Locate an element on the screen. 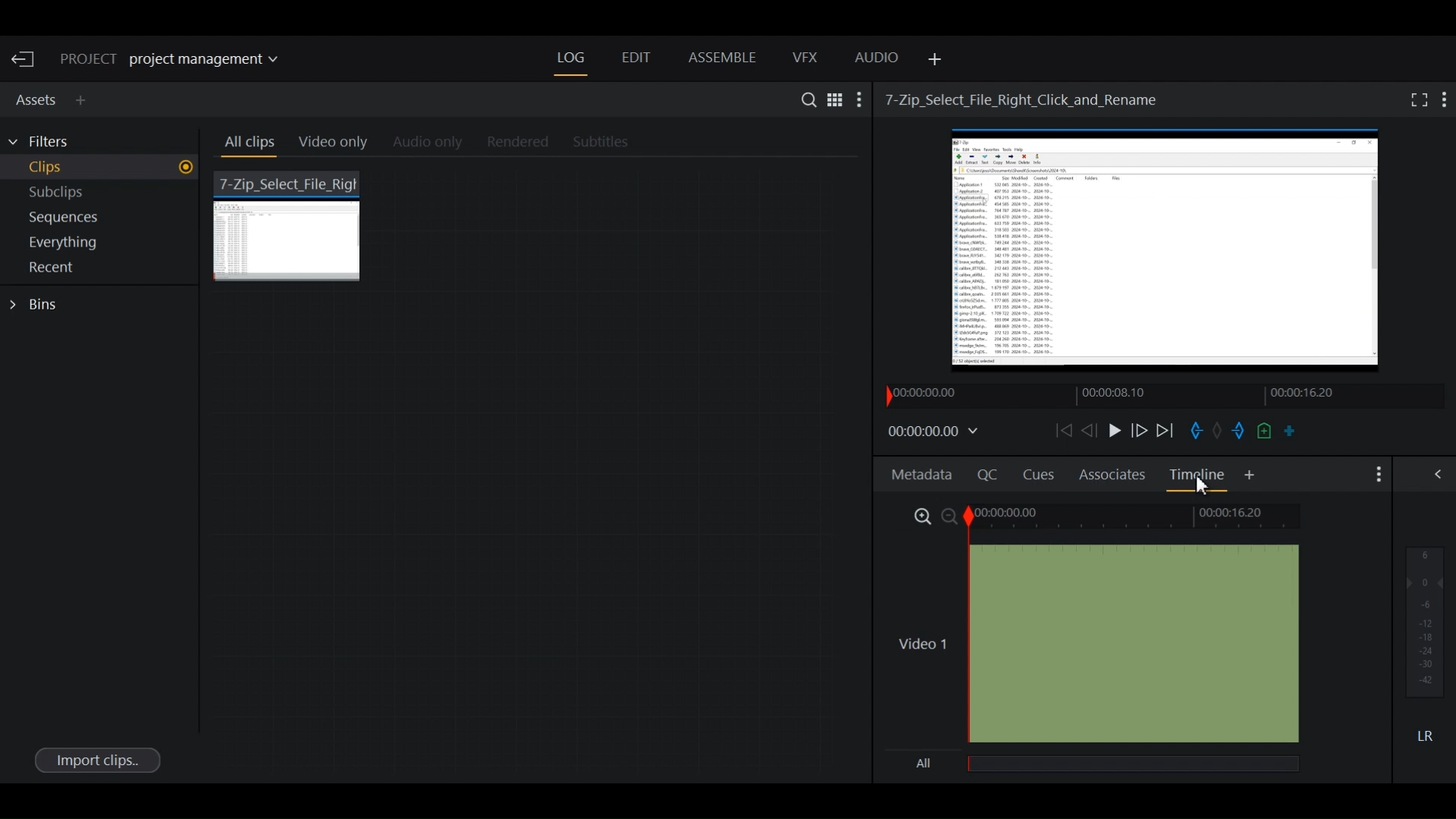  Play is located at coordinates (1113, 430).